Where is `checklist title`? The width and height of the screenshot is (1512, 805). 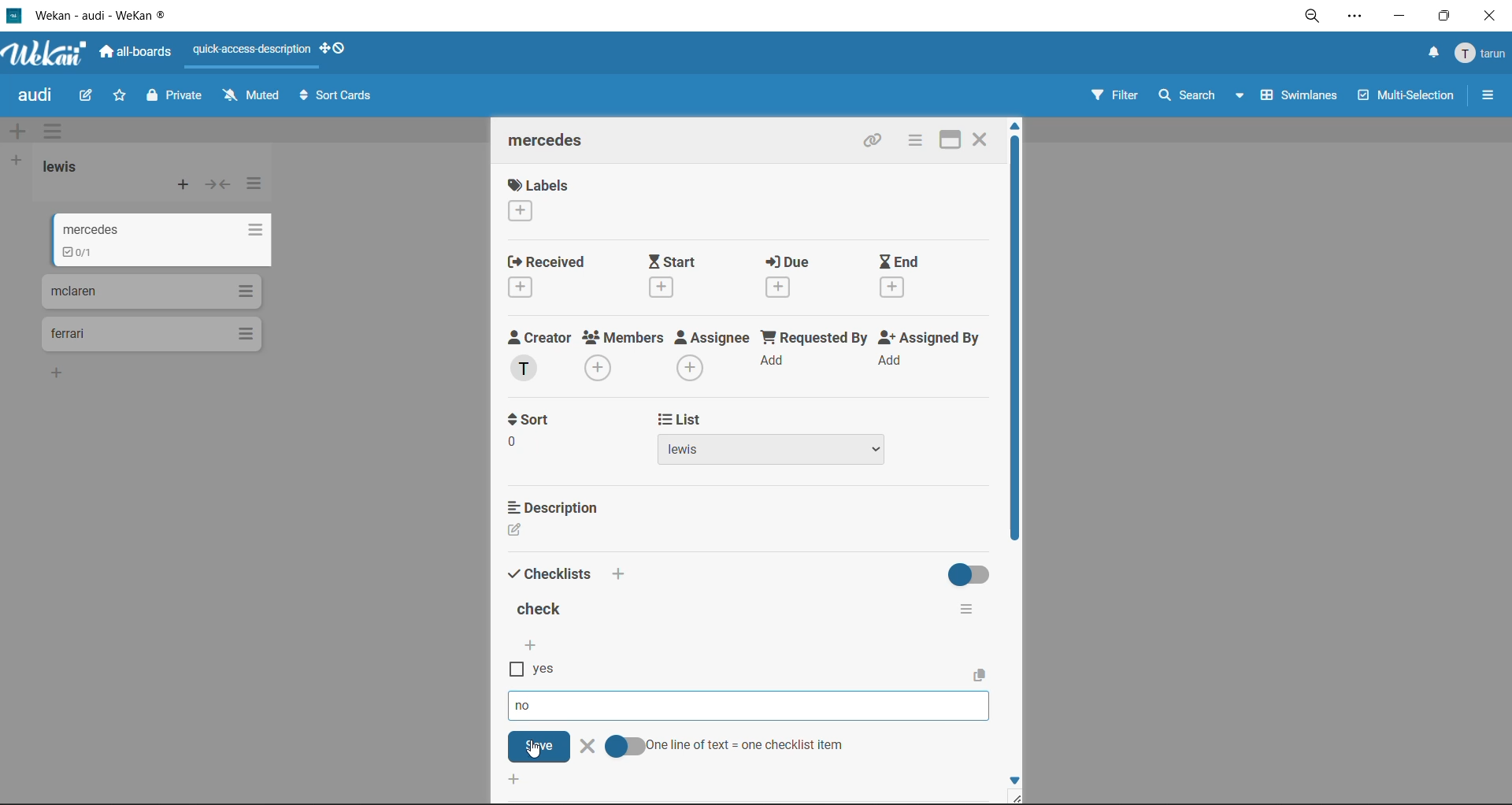 checklist title is located at coordinates (543, 611).